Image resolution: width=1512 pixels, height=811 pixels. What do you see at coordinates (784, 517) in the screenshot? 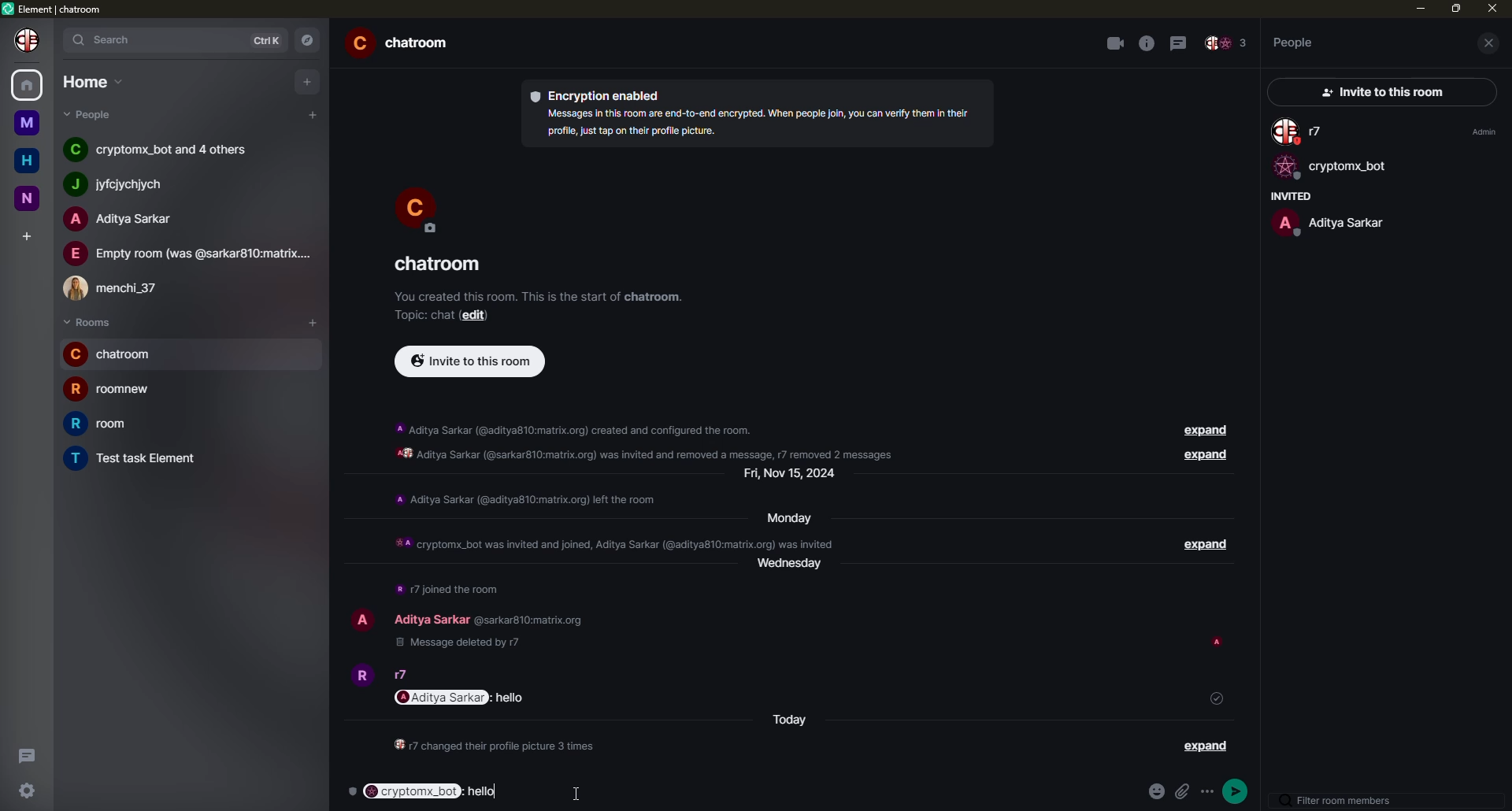
I see `day` at bounding box center [784, 517].